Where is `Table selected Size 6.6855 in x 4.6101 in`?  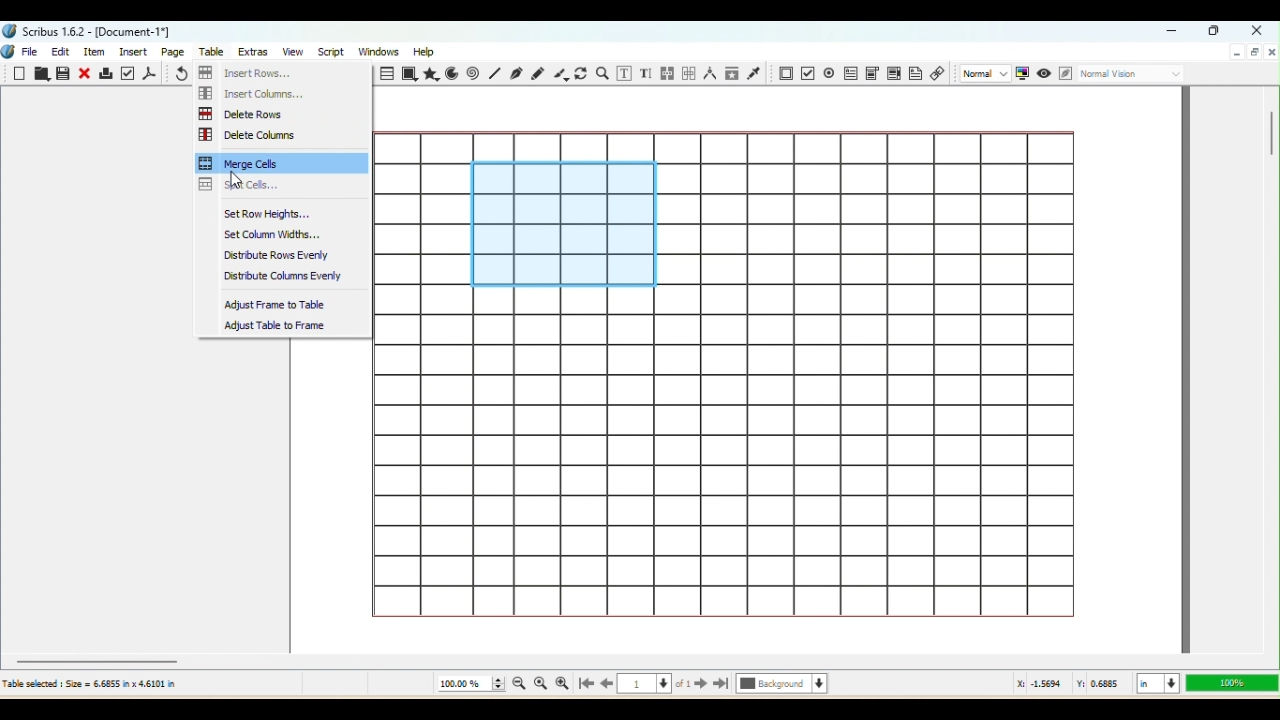 Table selected Size 6.6855 in x 4.6101 in is located at coordinates (90, 683).